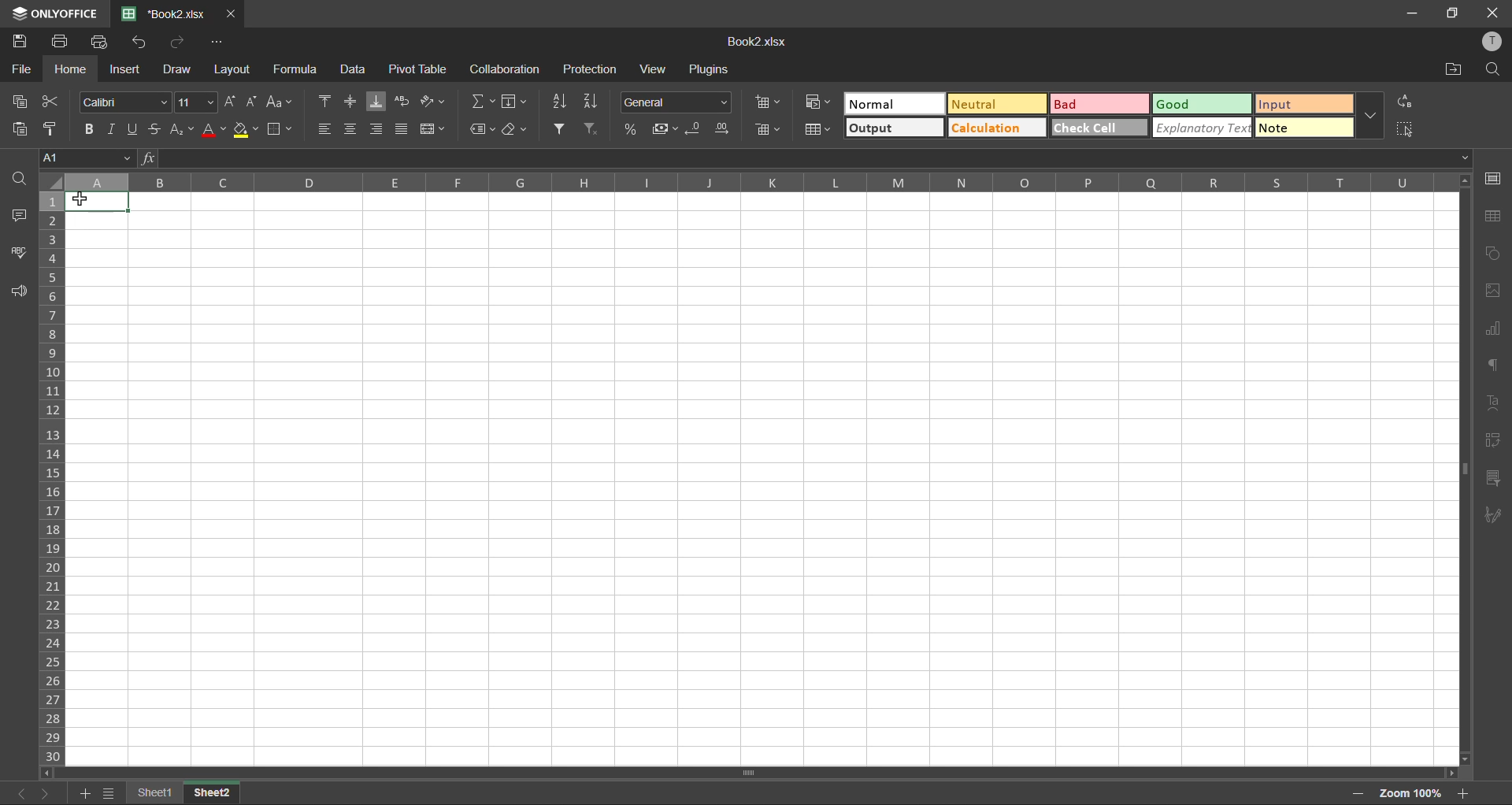  What do you see at coordinates (54, 478) in the screenshot?
I see `row numbers` at bounding box center [54, 478].